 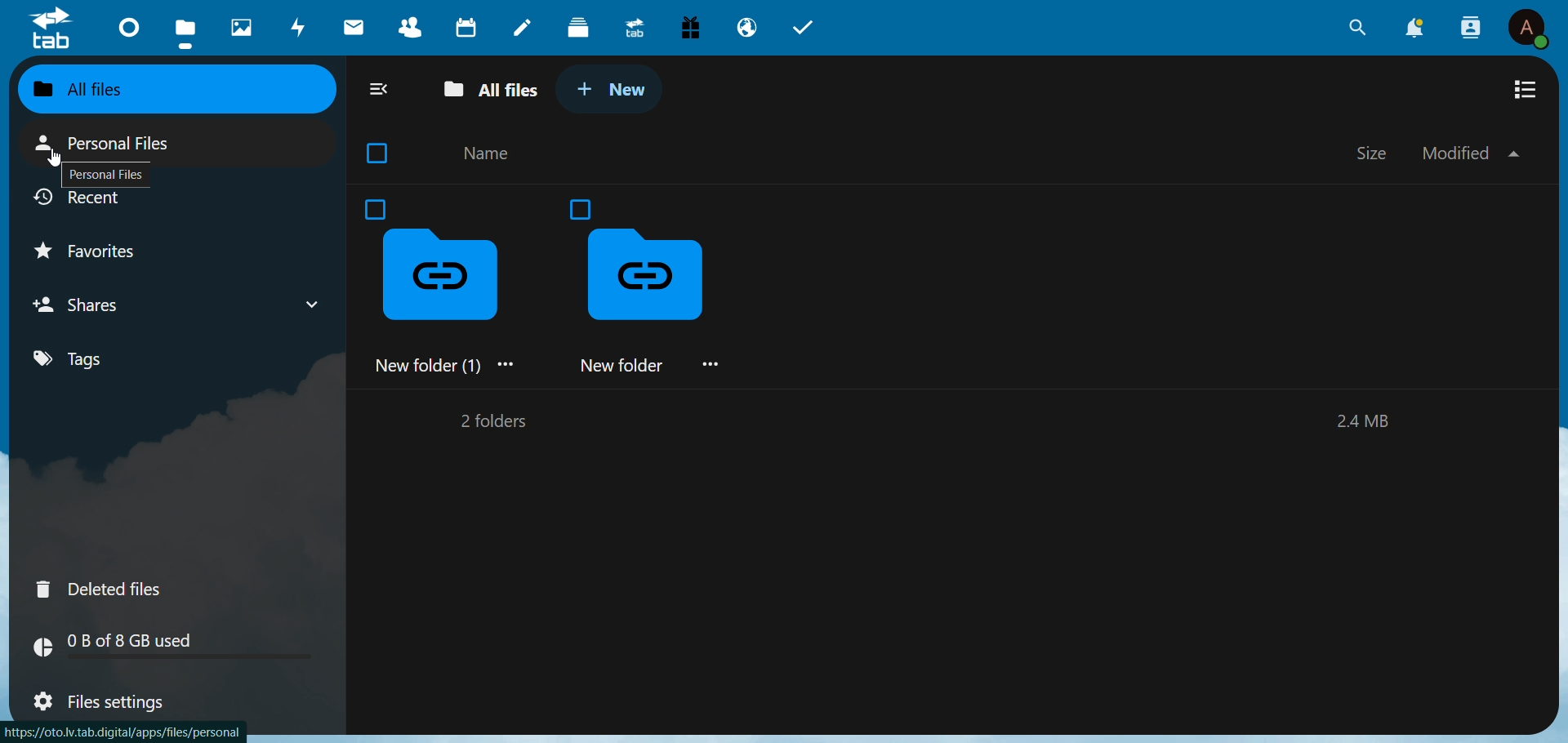 I want to click on hindi, so click(x=243, y=28).